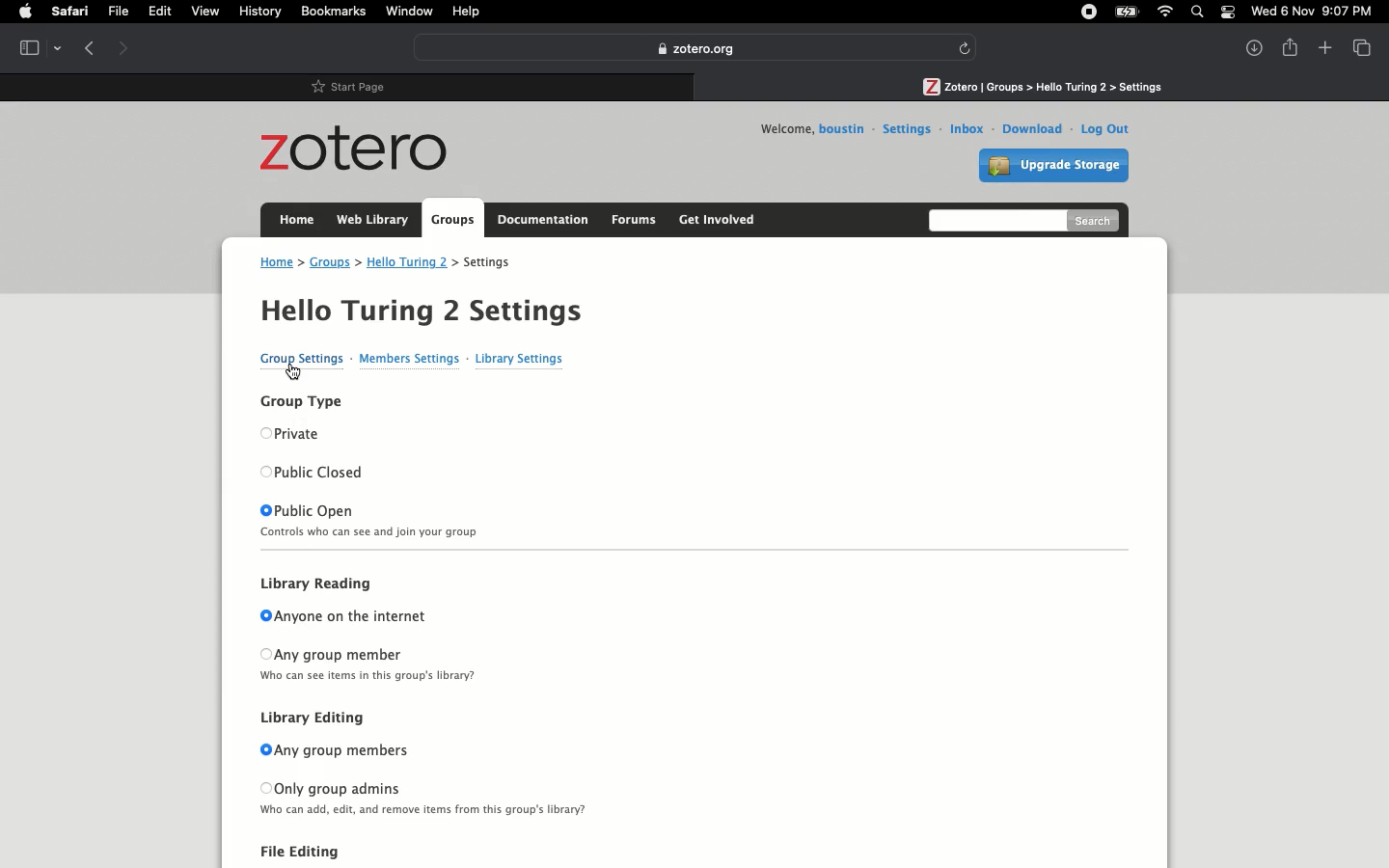 The height and width of the screenshot is (868, 1389). What do you see at coordinates (450, 220) in the screenshot?
I see `Groups` at bounding box center [450, 220].